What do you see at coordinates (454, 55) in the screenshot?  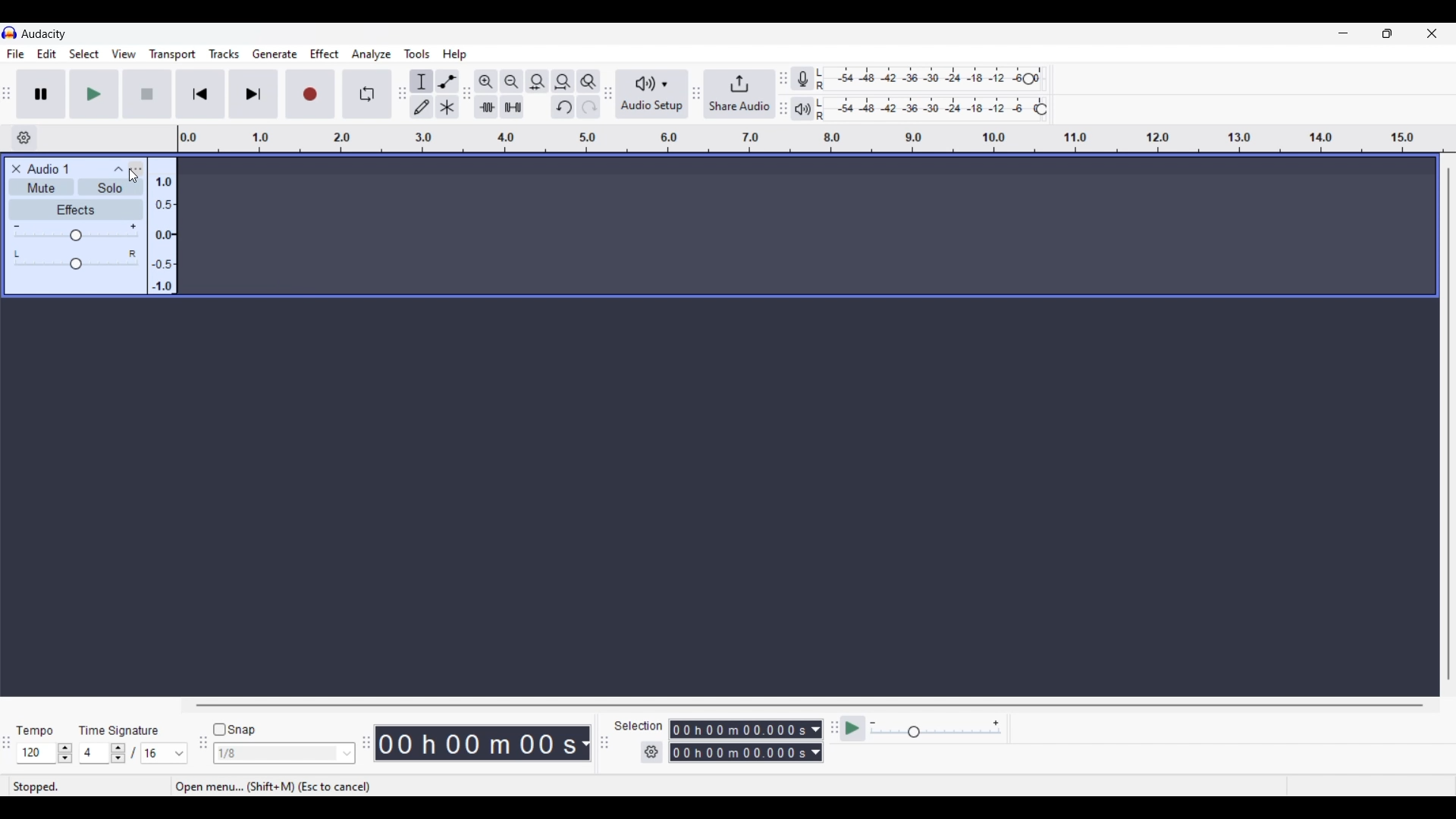 I see `Help menu` at bounding box center [454, 55].